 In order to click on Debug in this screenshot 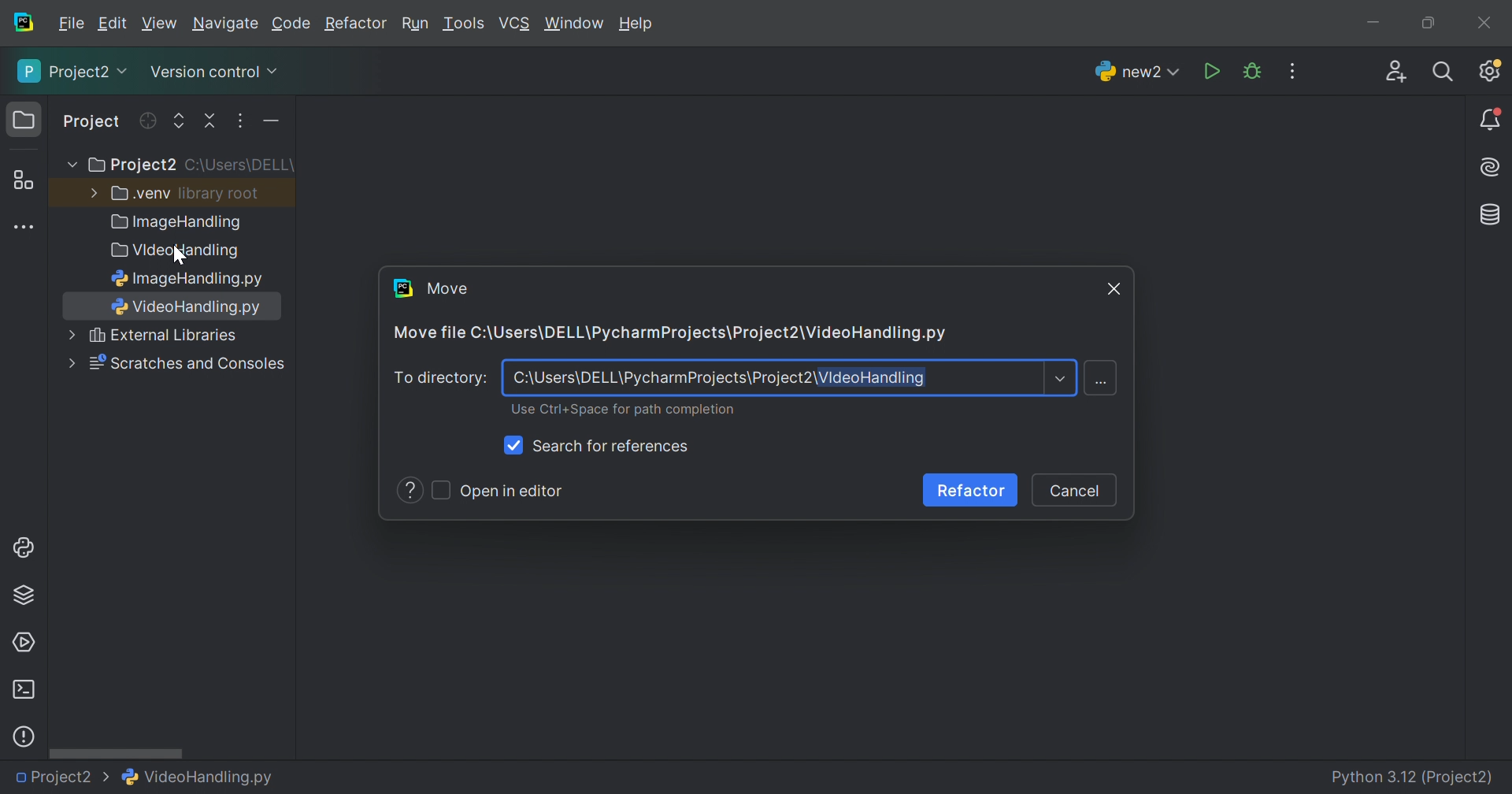, I will do `click(1252, 72)`.